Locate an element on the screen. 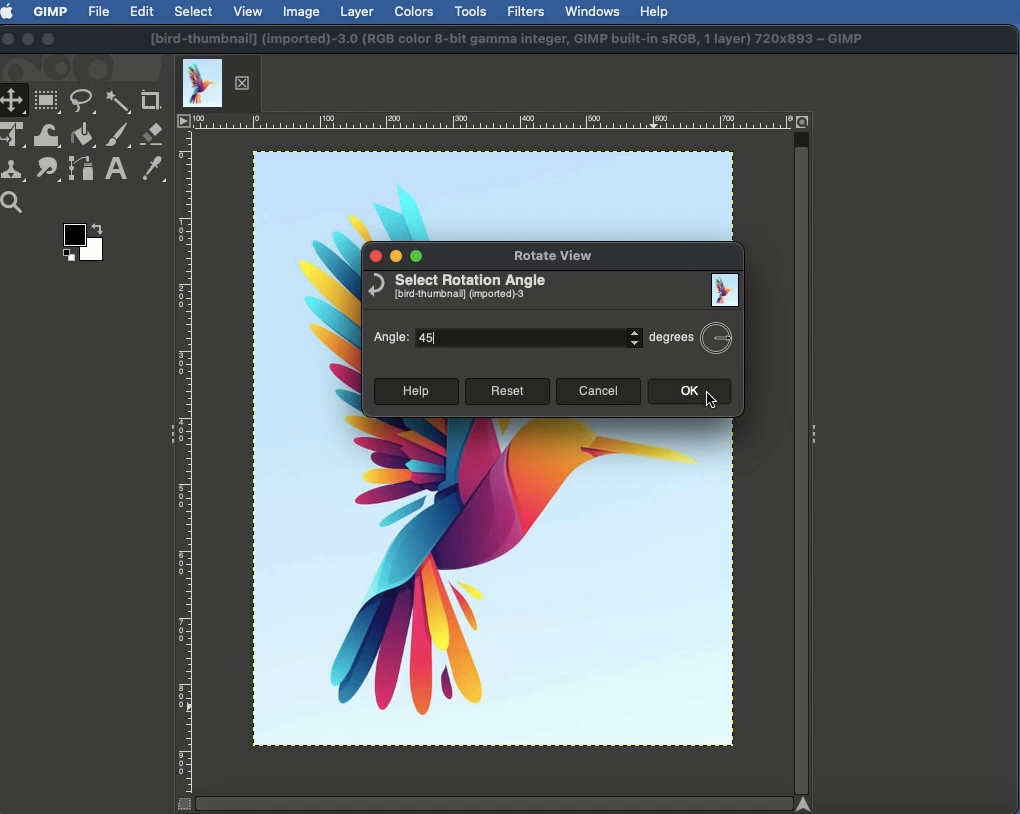 The height and width of the screenshot is (814, 1020). Degrees is located at coordinates (690, 336).